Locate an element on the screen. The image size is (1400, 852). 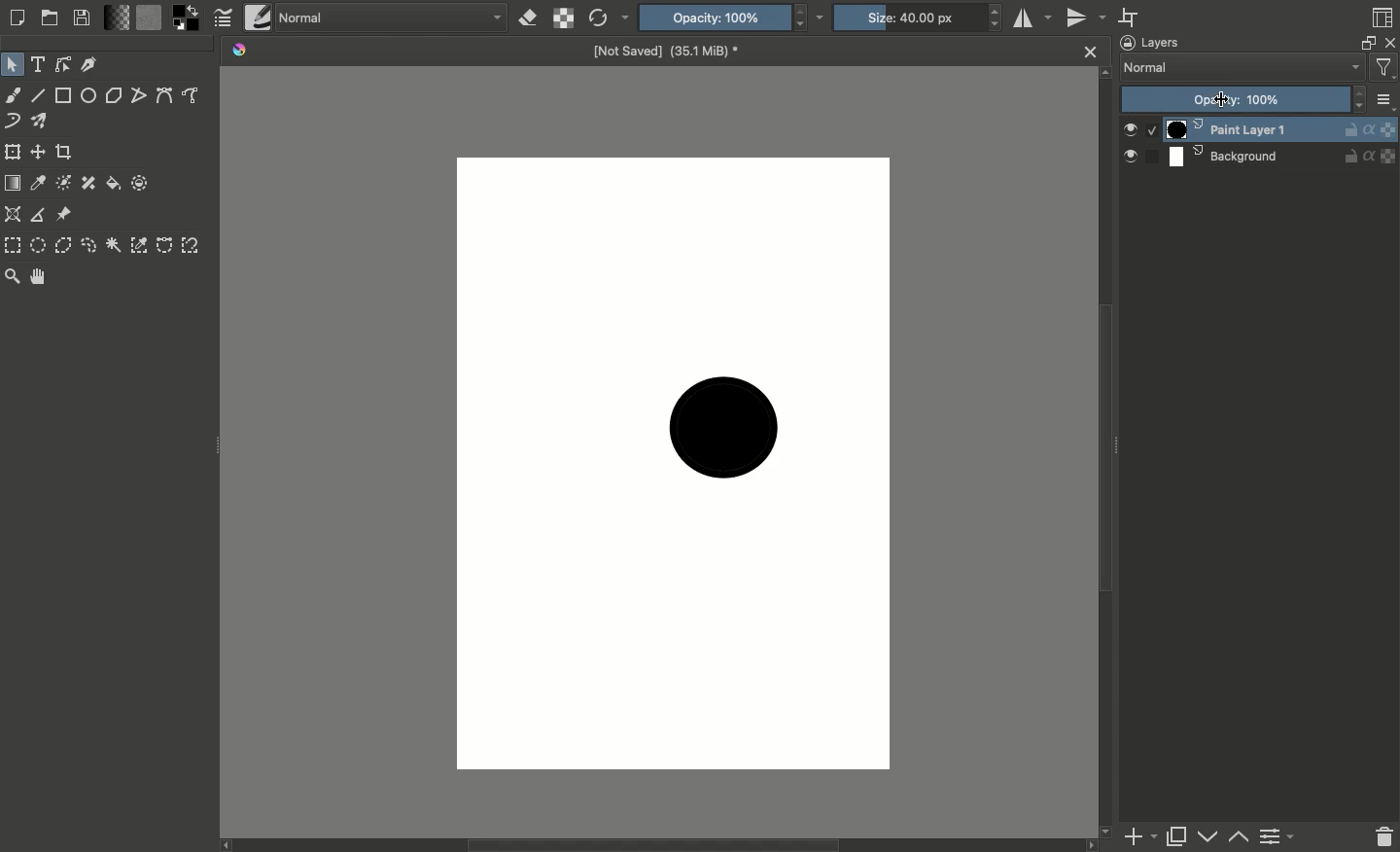
Magnetic curve selection tool is located at coordinates (194, 245).